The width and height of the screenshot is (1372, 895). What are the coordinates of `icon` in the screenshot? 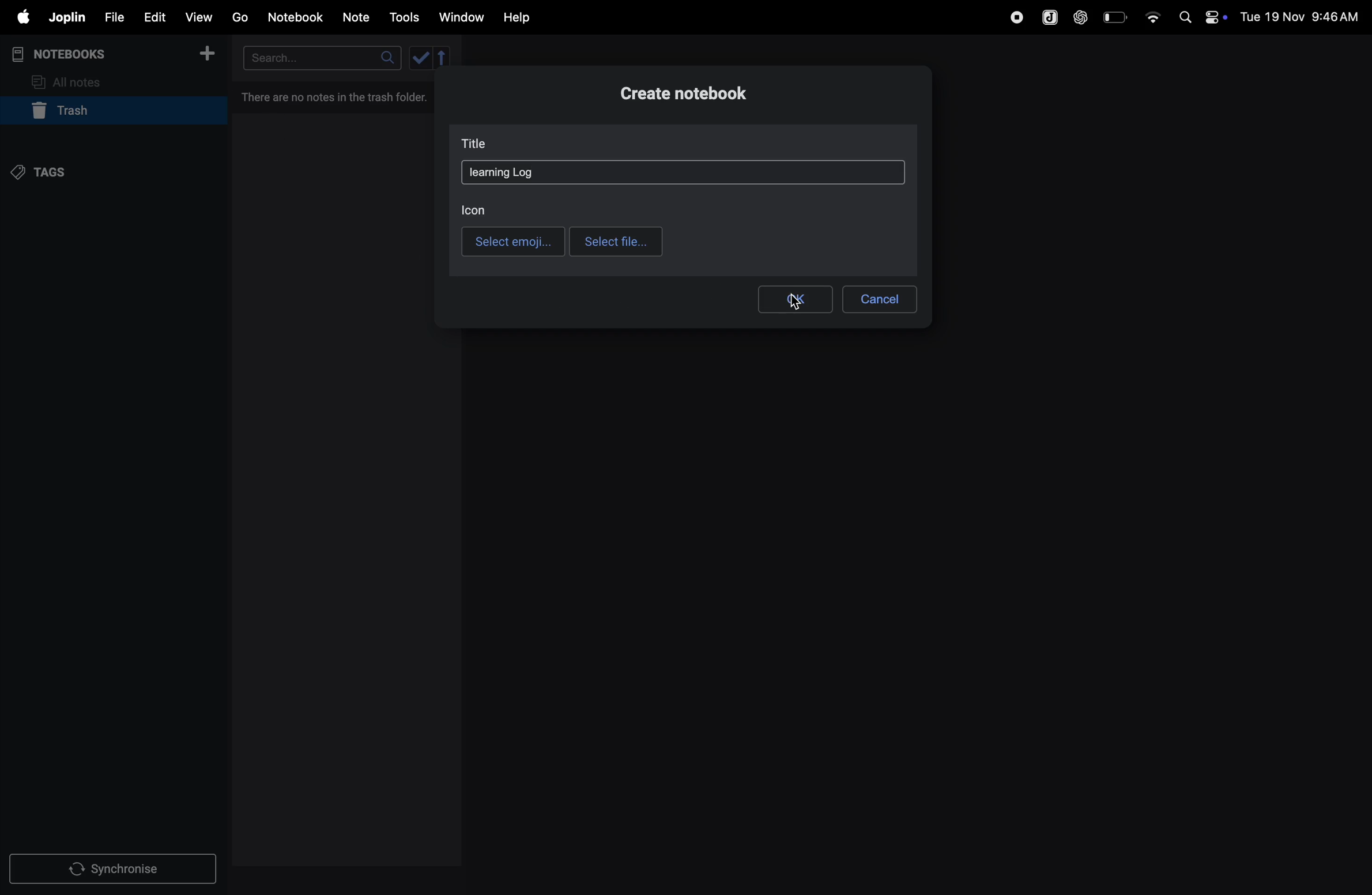 It's located at (474, 208).